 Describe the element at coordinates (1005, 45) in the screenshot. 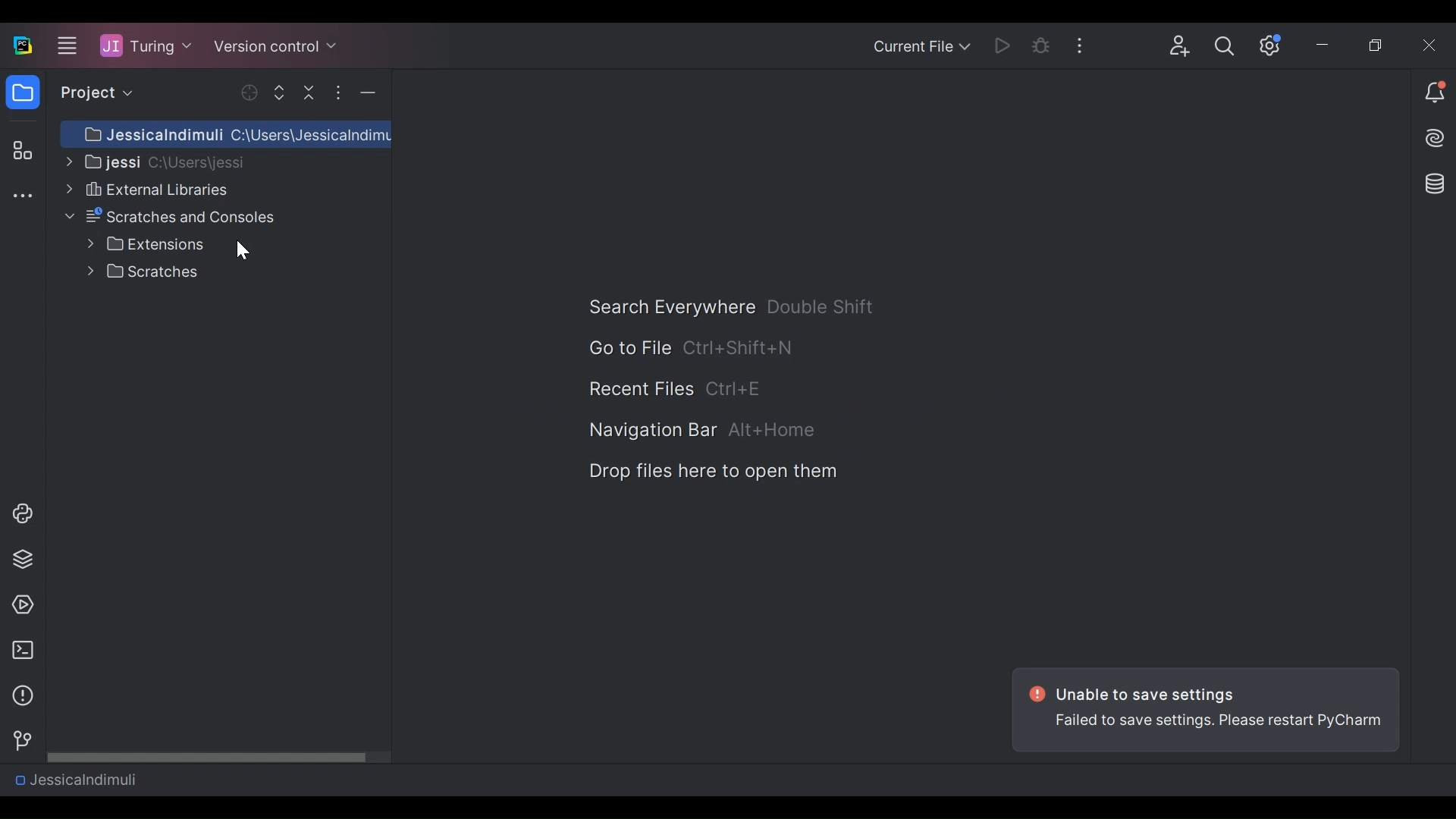

I see `Run` at that location.